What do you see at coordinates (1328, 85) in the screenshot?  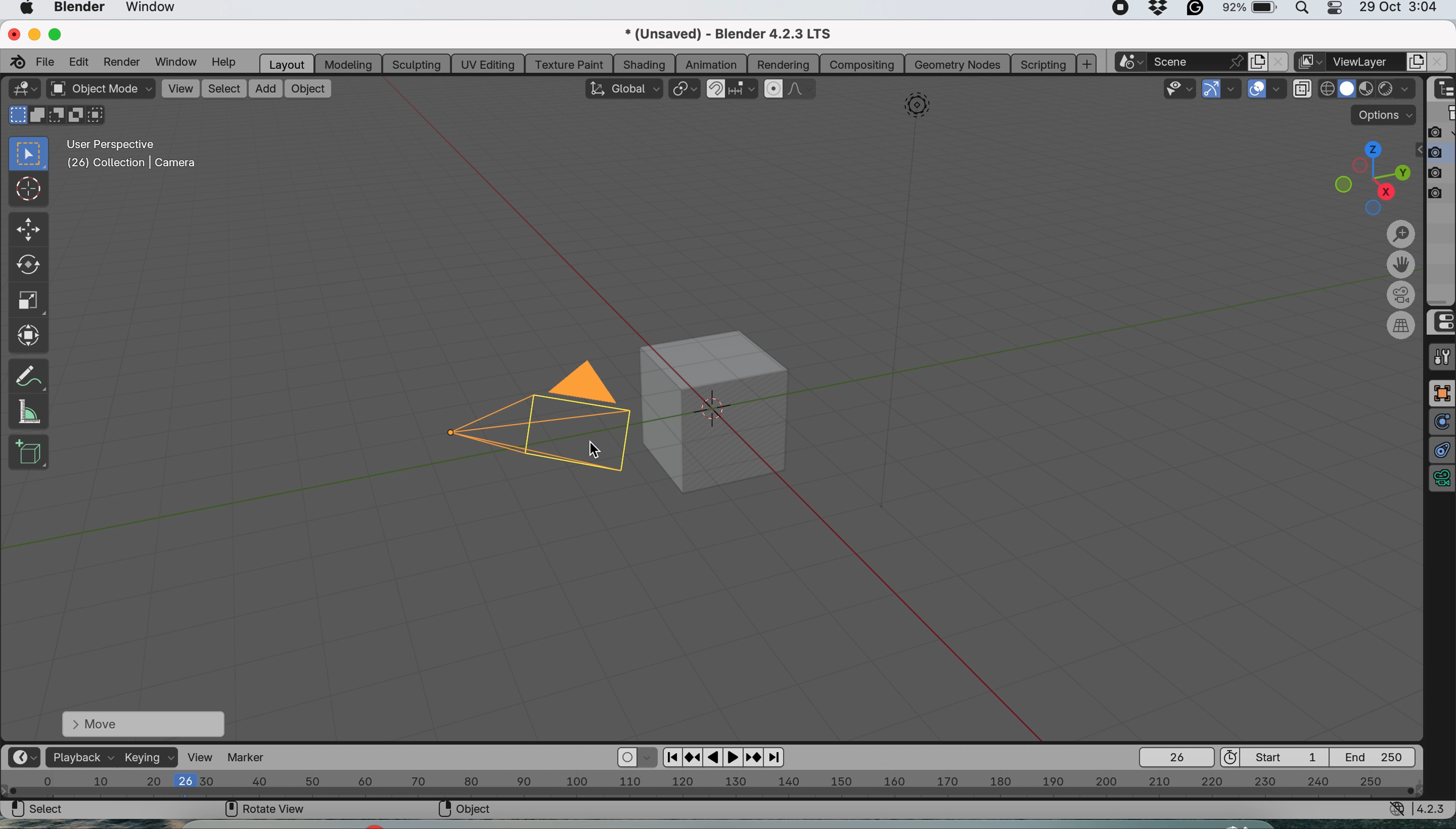 I see `solid display` at bounding box center [1328, 85].